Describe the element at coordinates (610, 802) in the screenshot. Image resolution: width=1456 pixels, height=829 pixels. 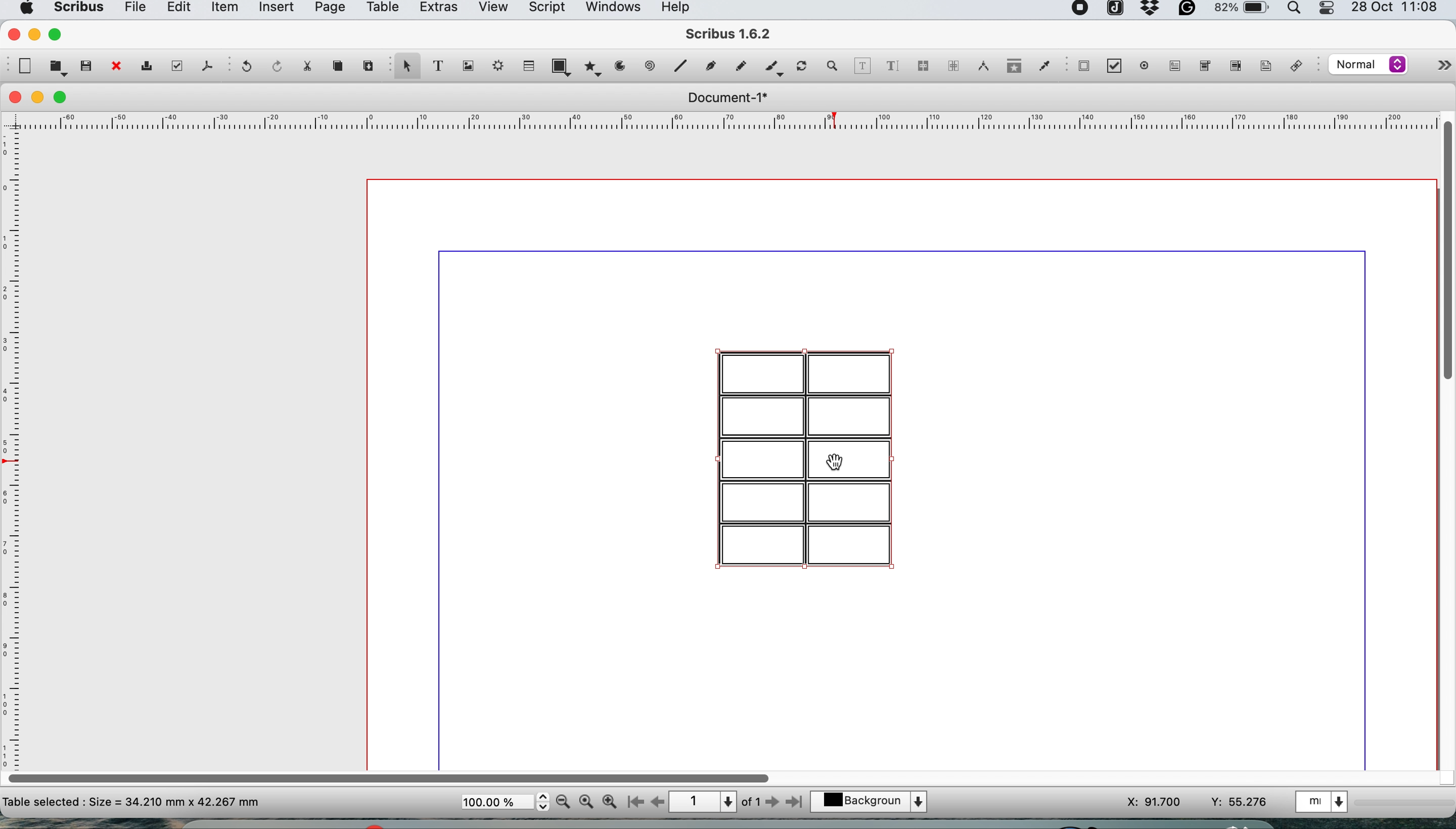
I see `zoom in` at that location.